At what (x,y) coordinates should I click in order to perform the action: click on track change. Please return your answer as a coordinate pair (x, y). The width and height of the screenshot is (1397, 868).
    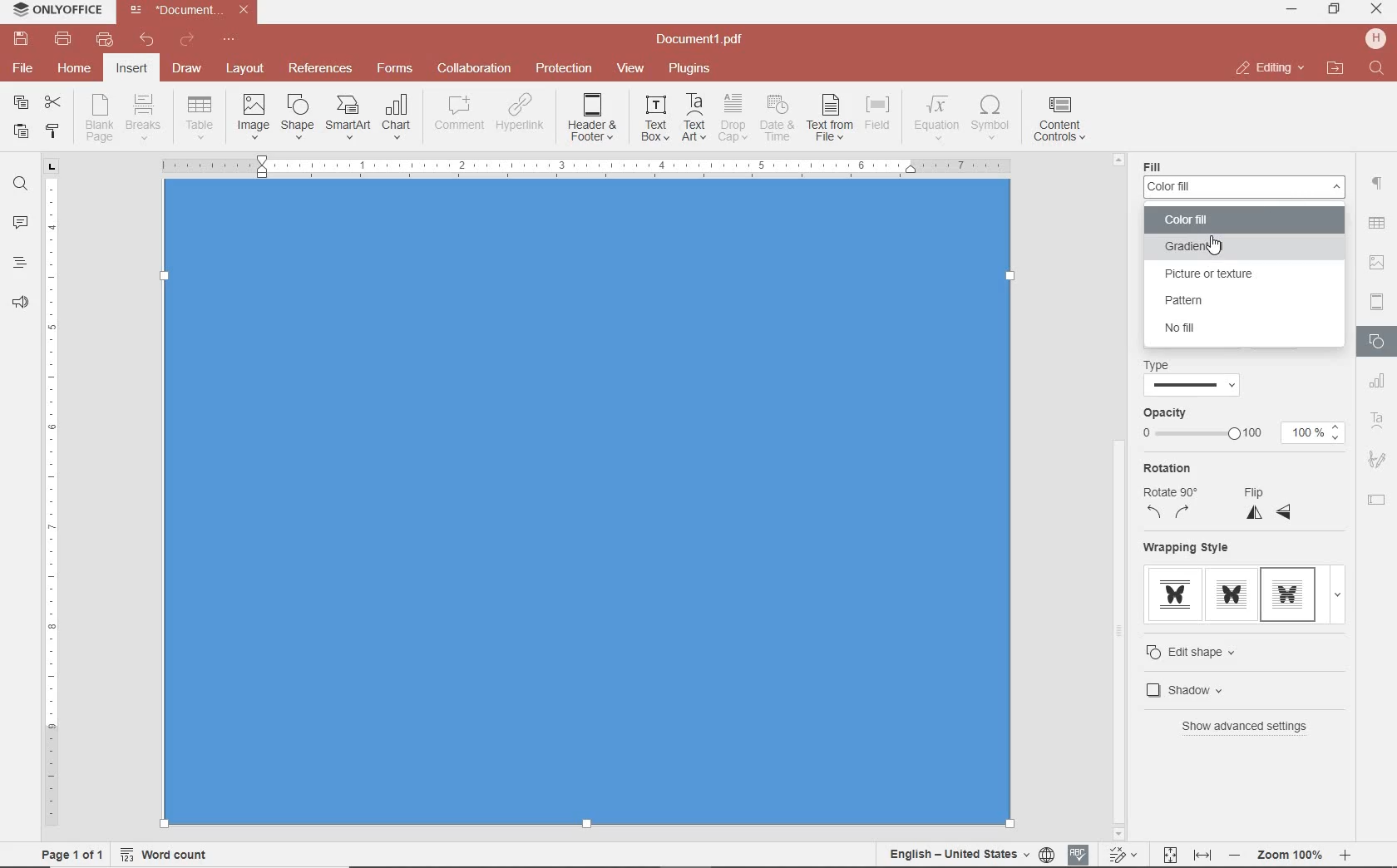
    Looking at the image, I should click on (1121, 856).